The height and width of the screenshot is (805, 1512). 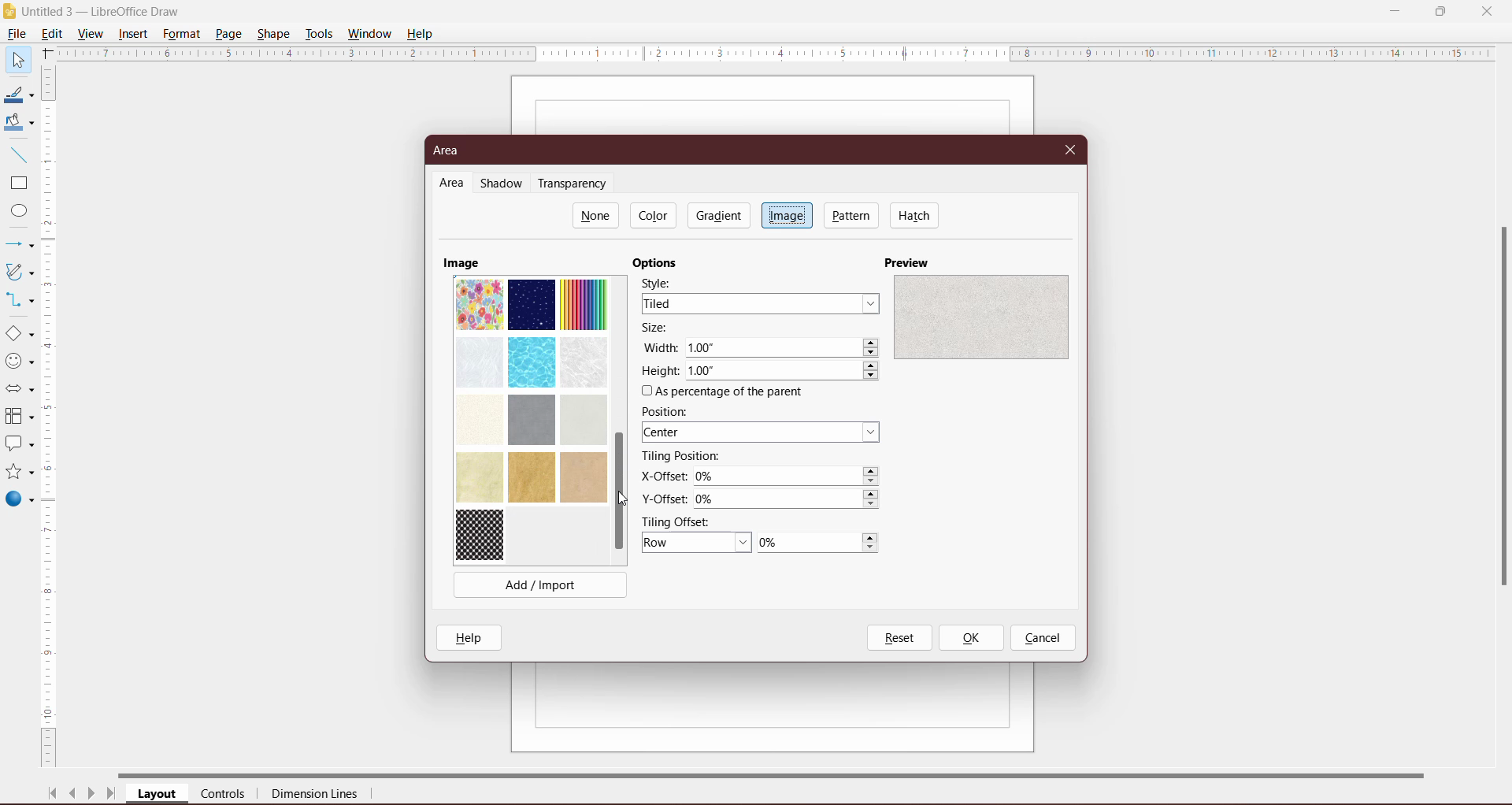 I want to click on Insert, so click(x=134, y=34).